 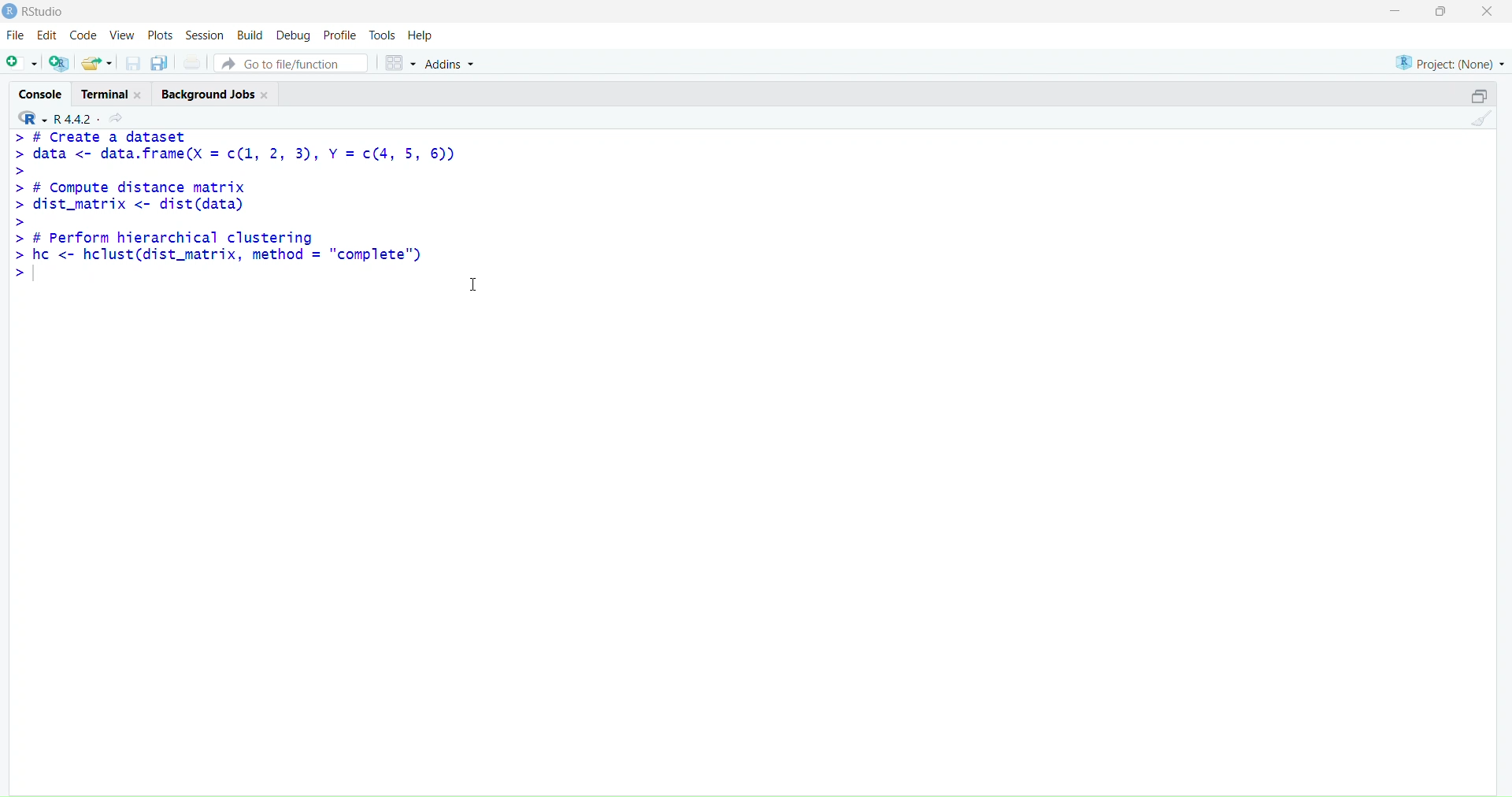 I want to click on R .4.4.2~/, so click(x=76, y=120).